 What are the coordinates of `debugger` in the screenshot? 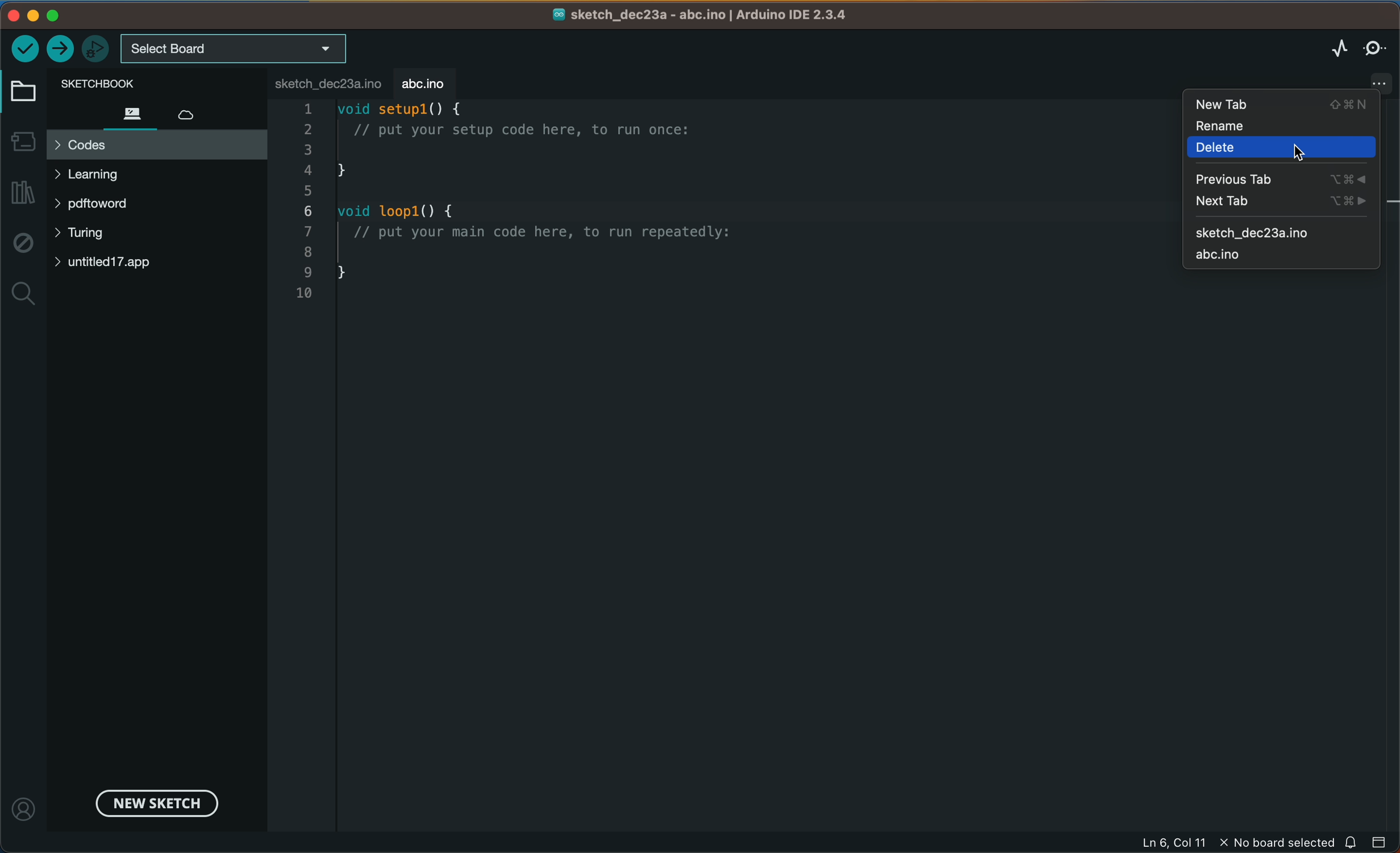 It's located at (94, 49).